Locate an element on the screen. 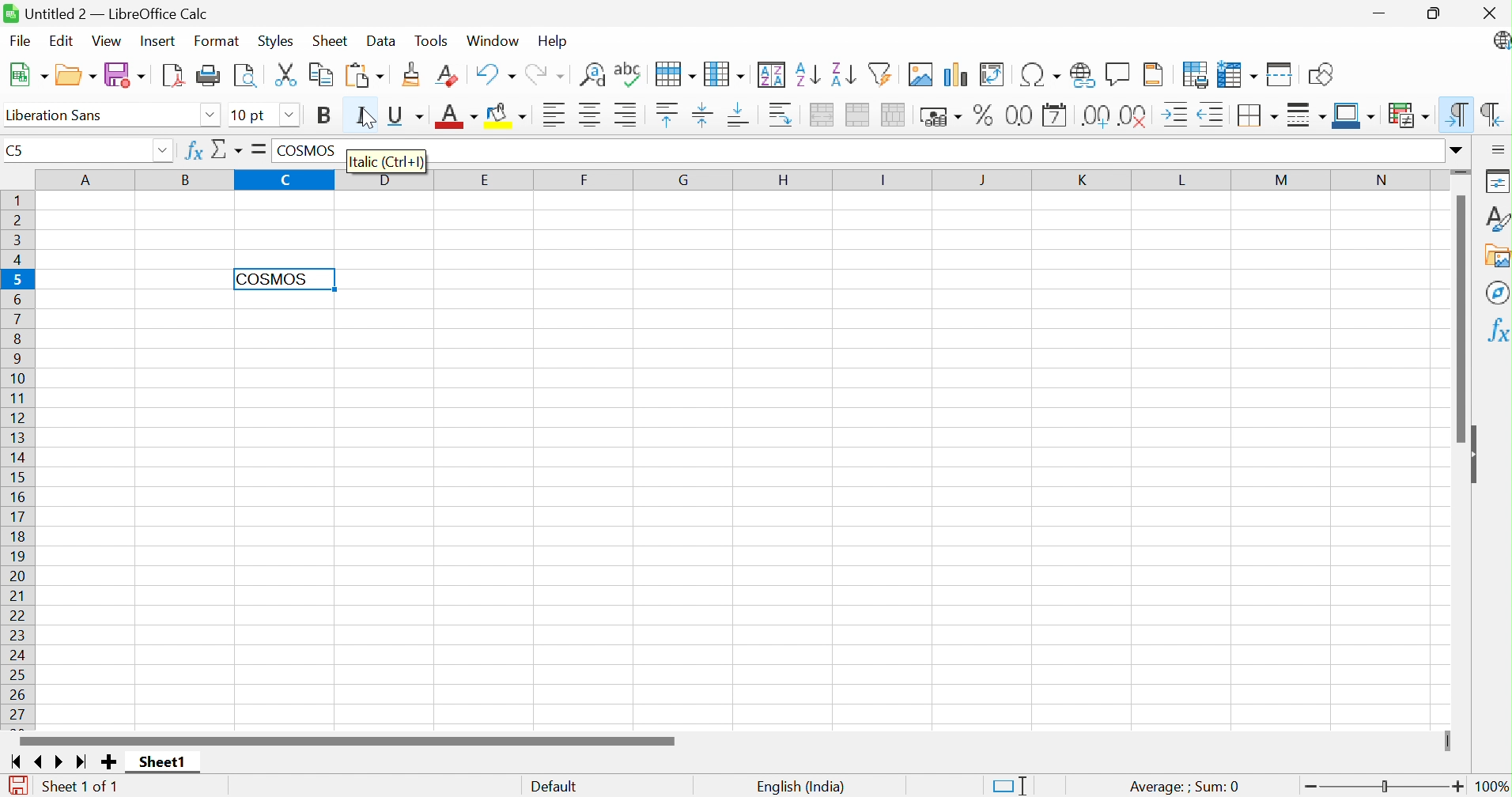 The height and width of the screenshot is (797, 1512). Minimize is located at coordinates (1384, 15).